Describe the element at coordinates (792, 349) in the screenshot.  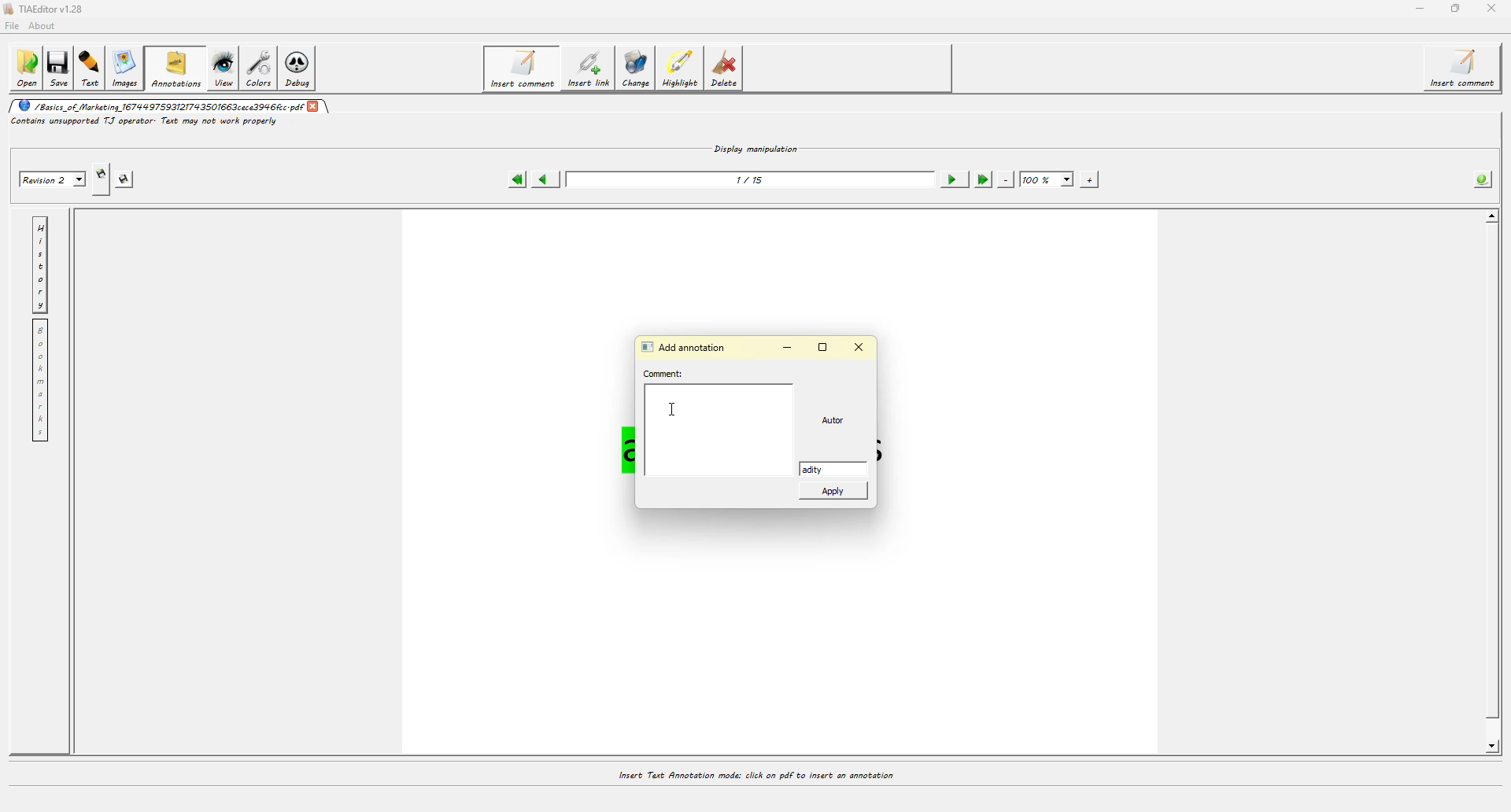
I see `minimize` at that location.